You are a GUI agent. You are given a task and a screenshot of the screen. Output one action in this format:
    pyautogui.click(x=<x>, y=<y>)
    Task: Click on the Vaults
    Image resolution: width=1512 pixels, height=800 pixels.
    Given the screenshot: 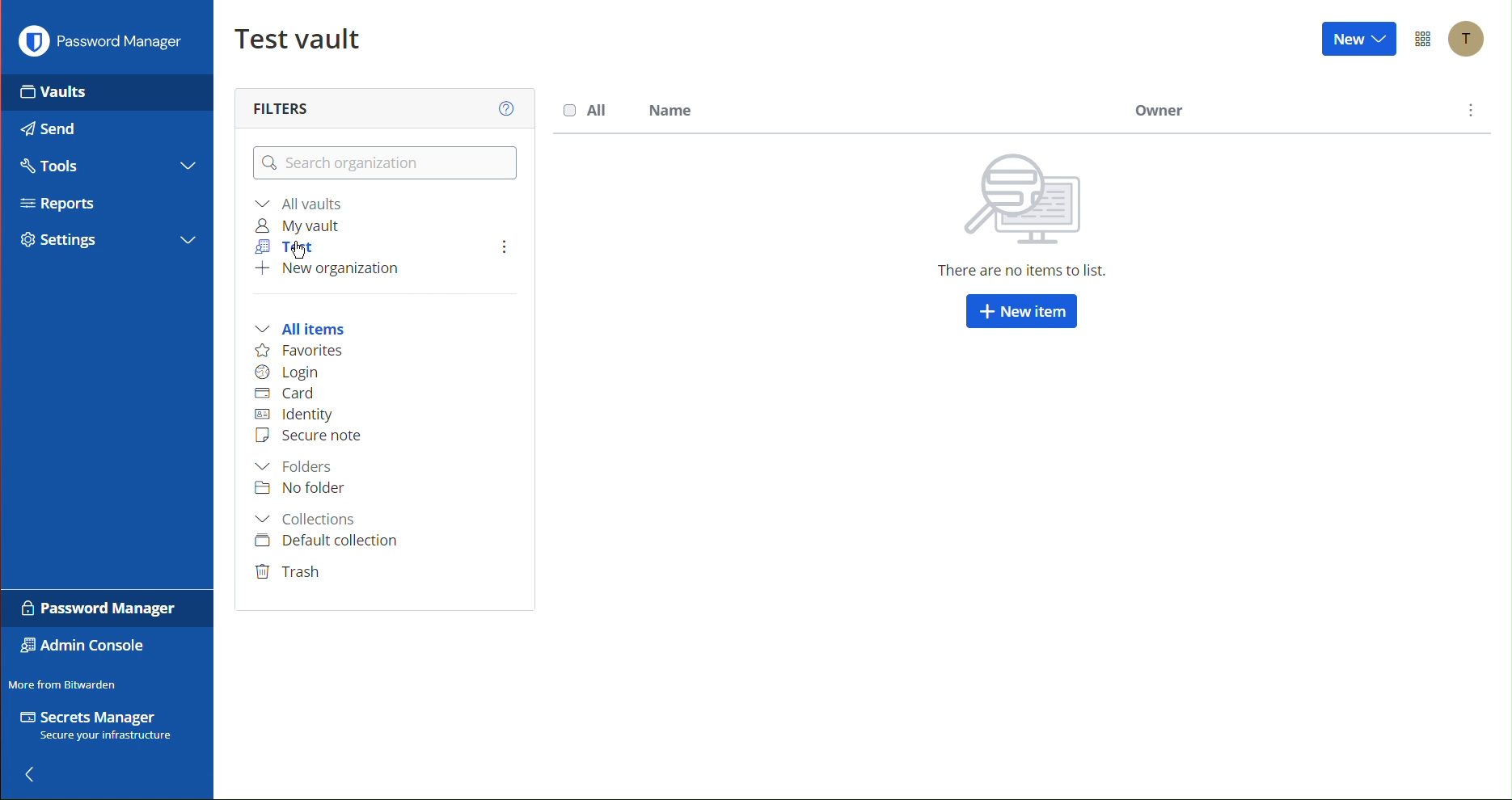 What is the action you would take?
    pyautogui.click(x=60, y=94)
    